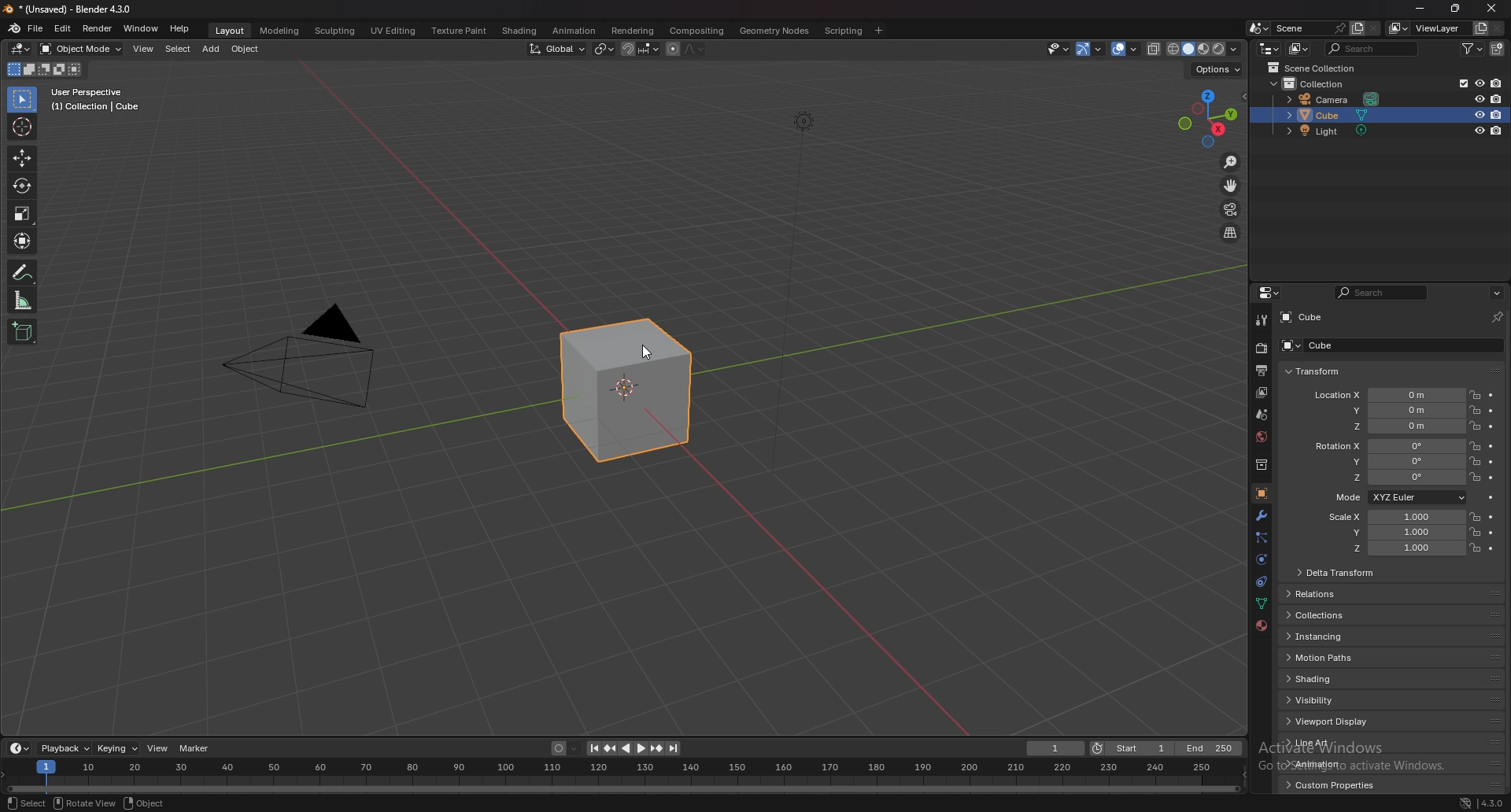  What do you see at coordinates (842, 31) in the screenshot?
I see `scripting` at bounding box center [842, 31].